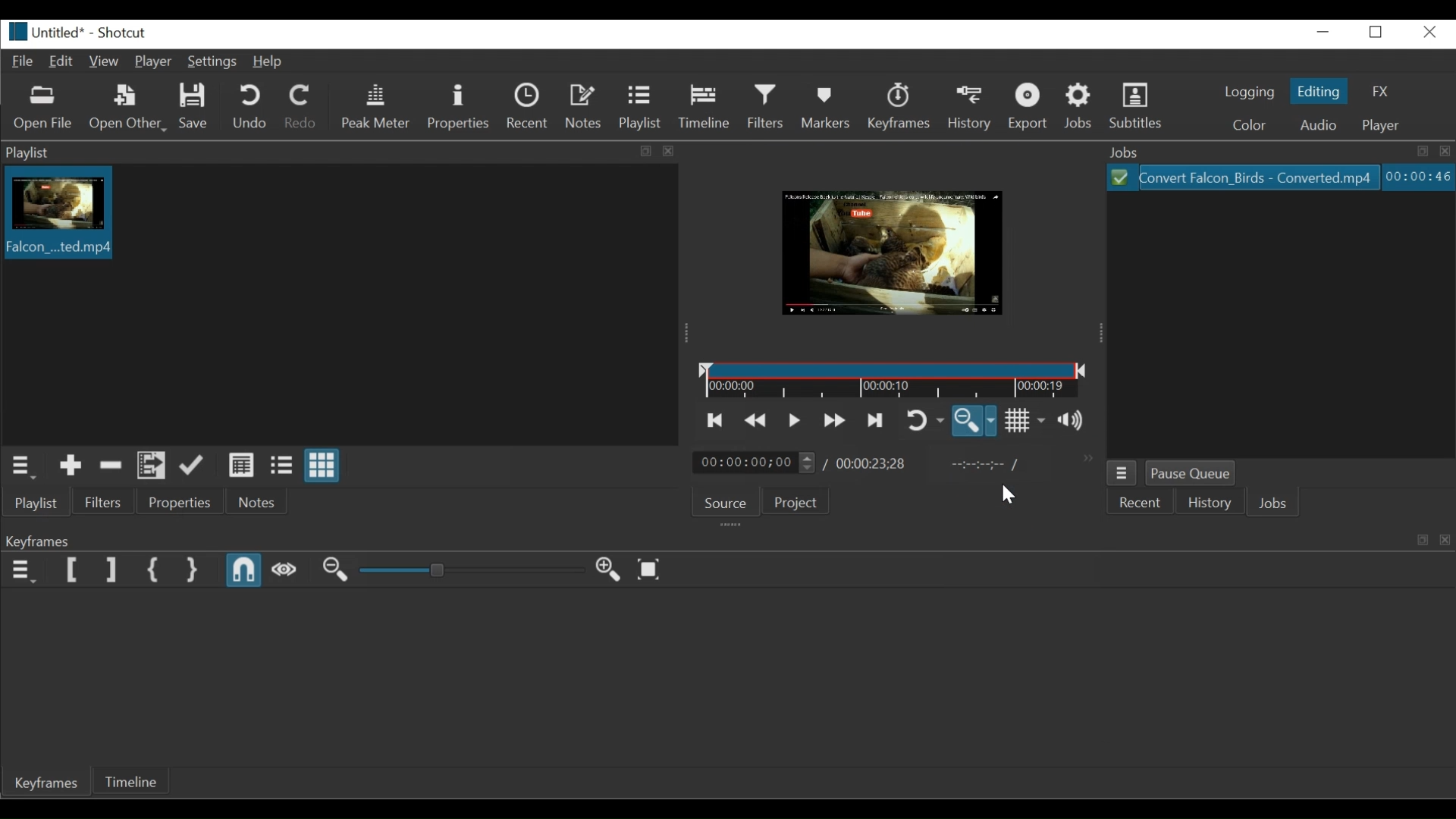  Describe the element at coordinates (472, 570) in the screenshot. I see `Adjust Zoom Keyframe` at that location.